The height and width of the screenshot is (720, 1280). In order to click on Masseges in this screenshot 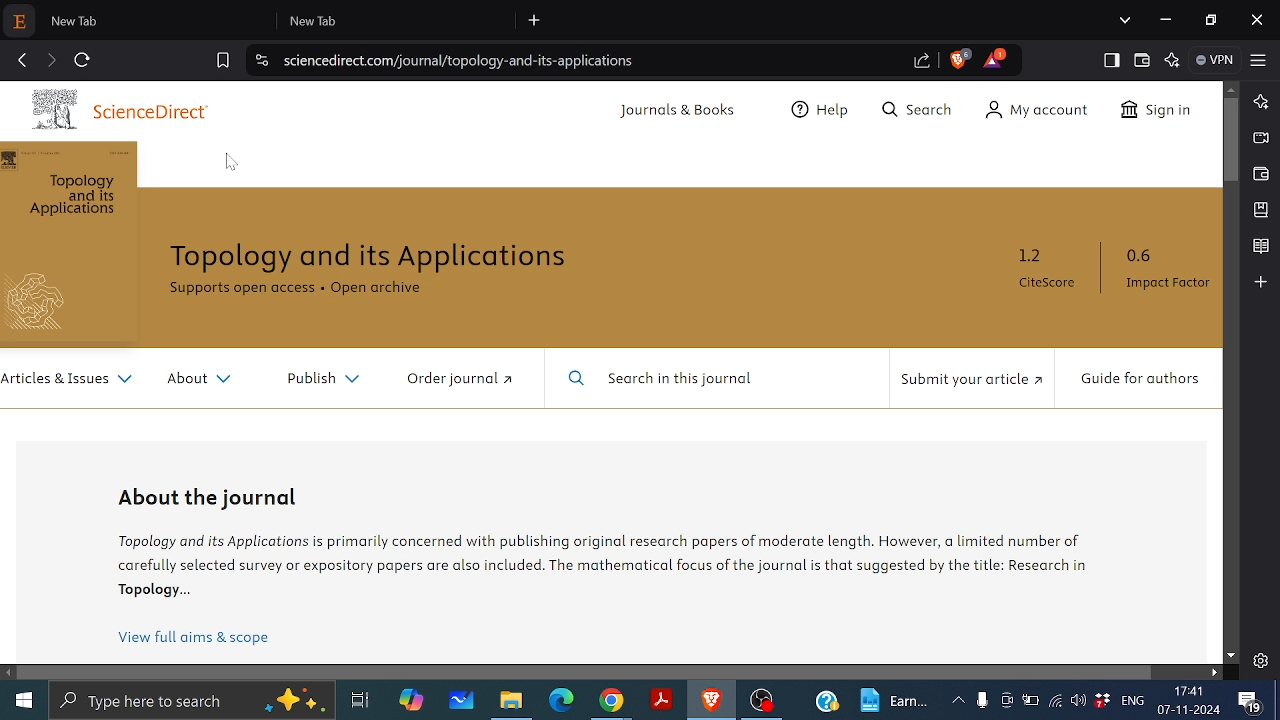, I will do `click(1253, 703)`.